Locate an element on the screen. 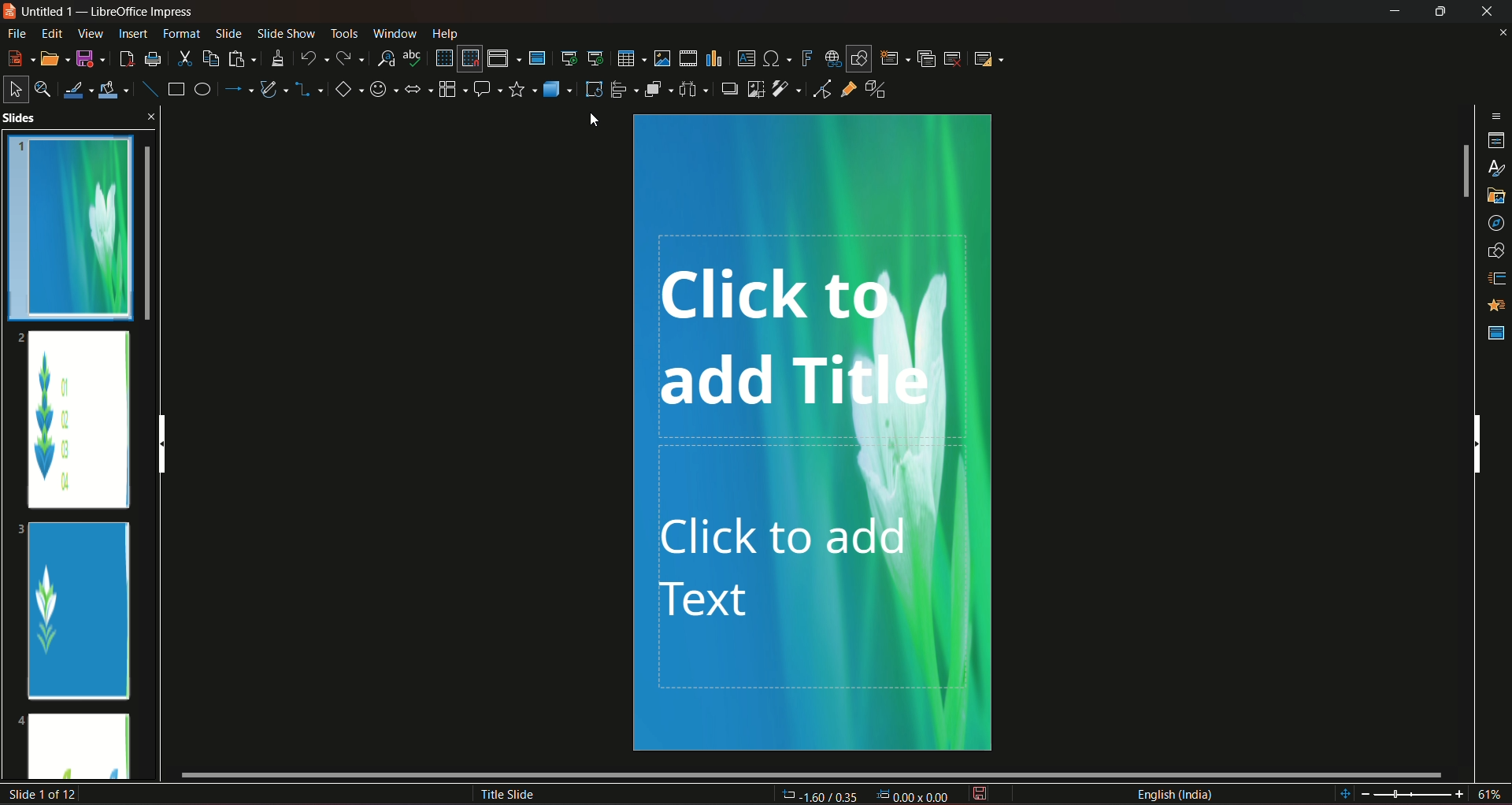  line color is located at coordinates (80, 88).